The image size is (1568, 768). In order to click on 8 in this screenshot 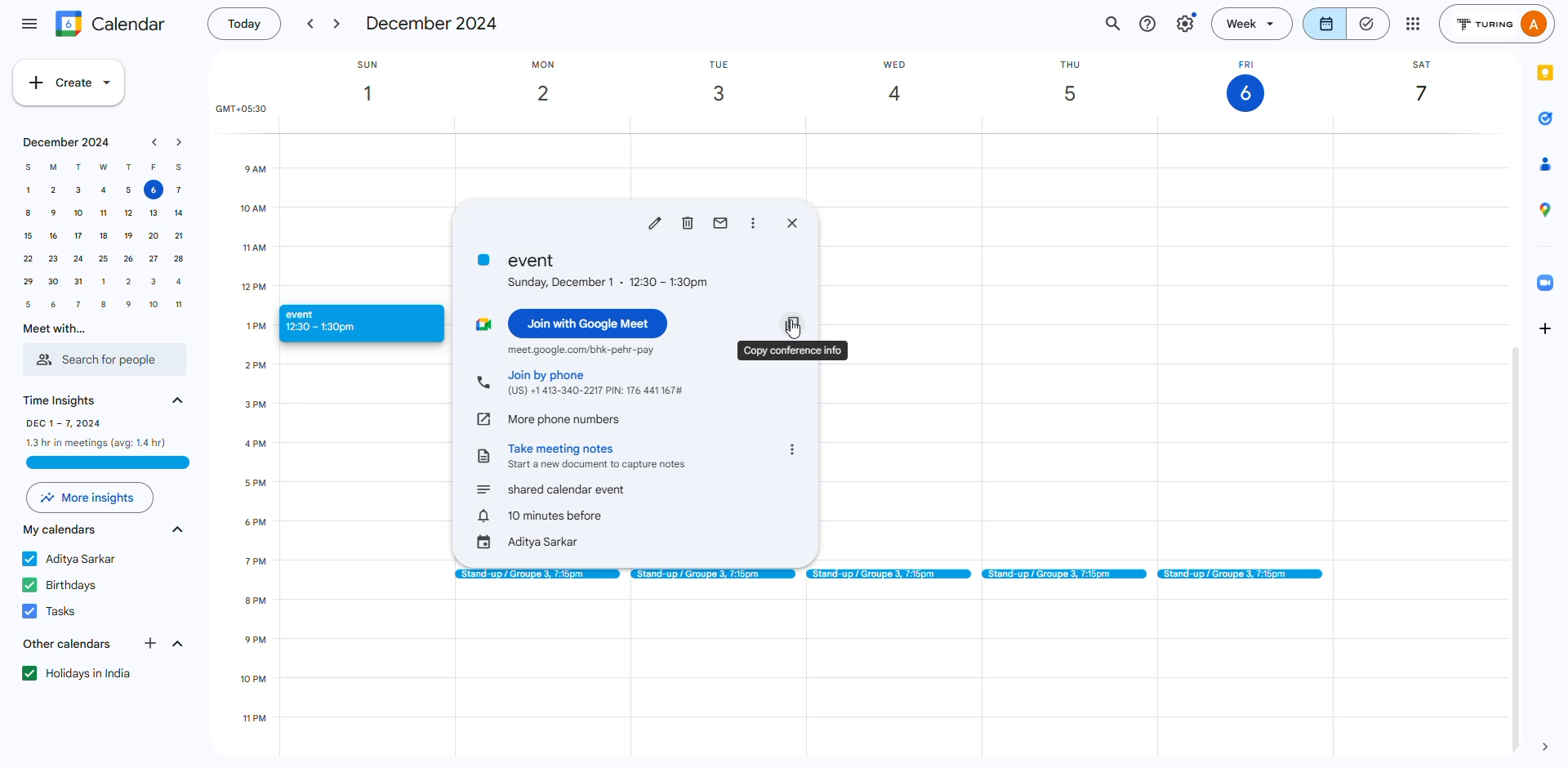, I will do `click(25, 214)`.